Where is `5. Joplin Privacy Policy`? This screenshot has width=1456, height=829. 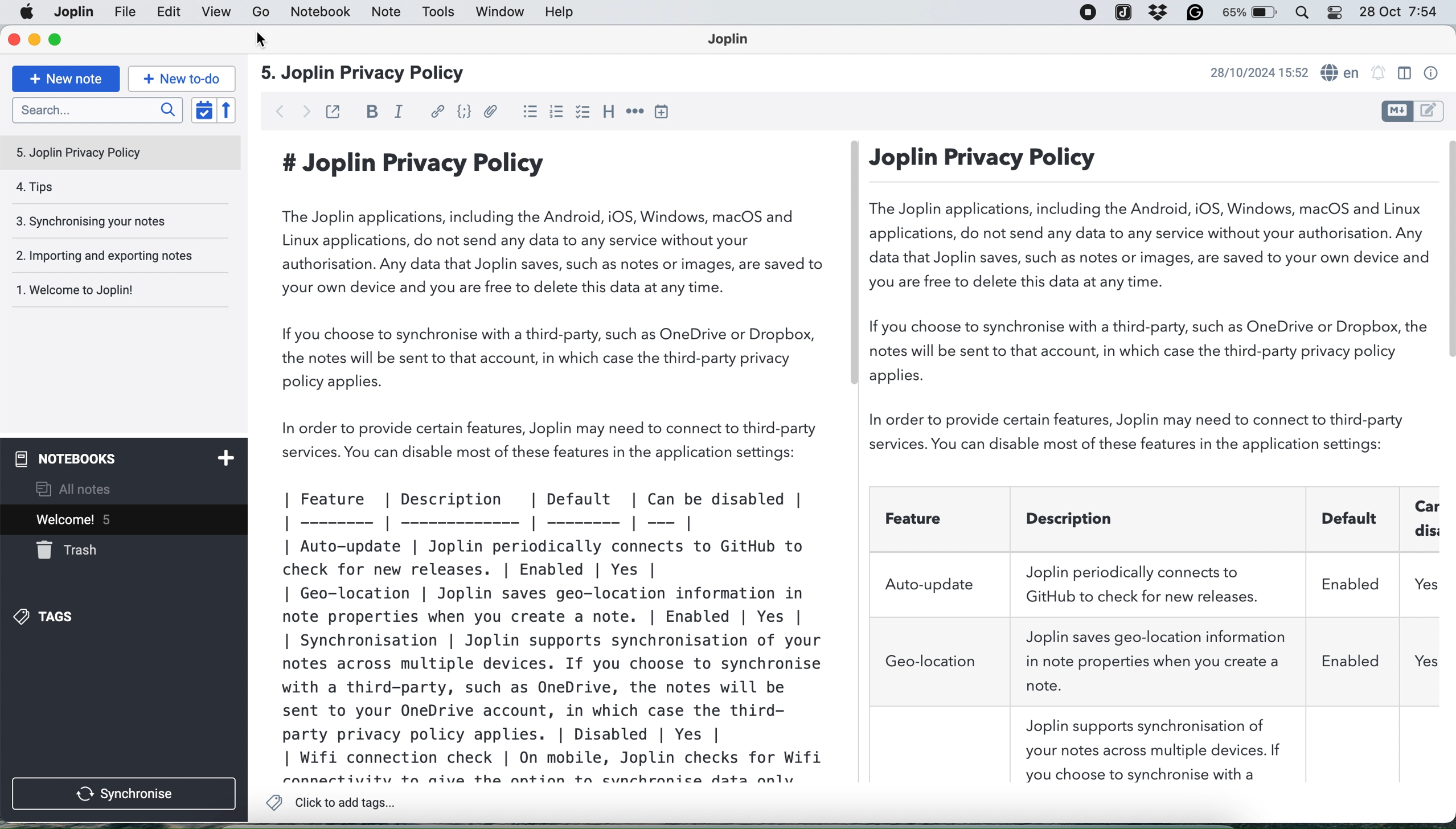
5. Joplin Privacy Policy is located at coordinates (366, 73).